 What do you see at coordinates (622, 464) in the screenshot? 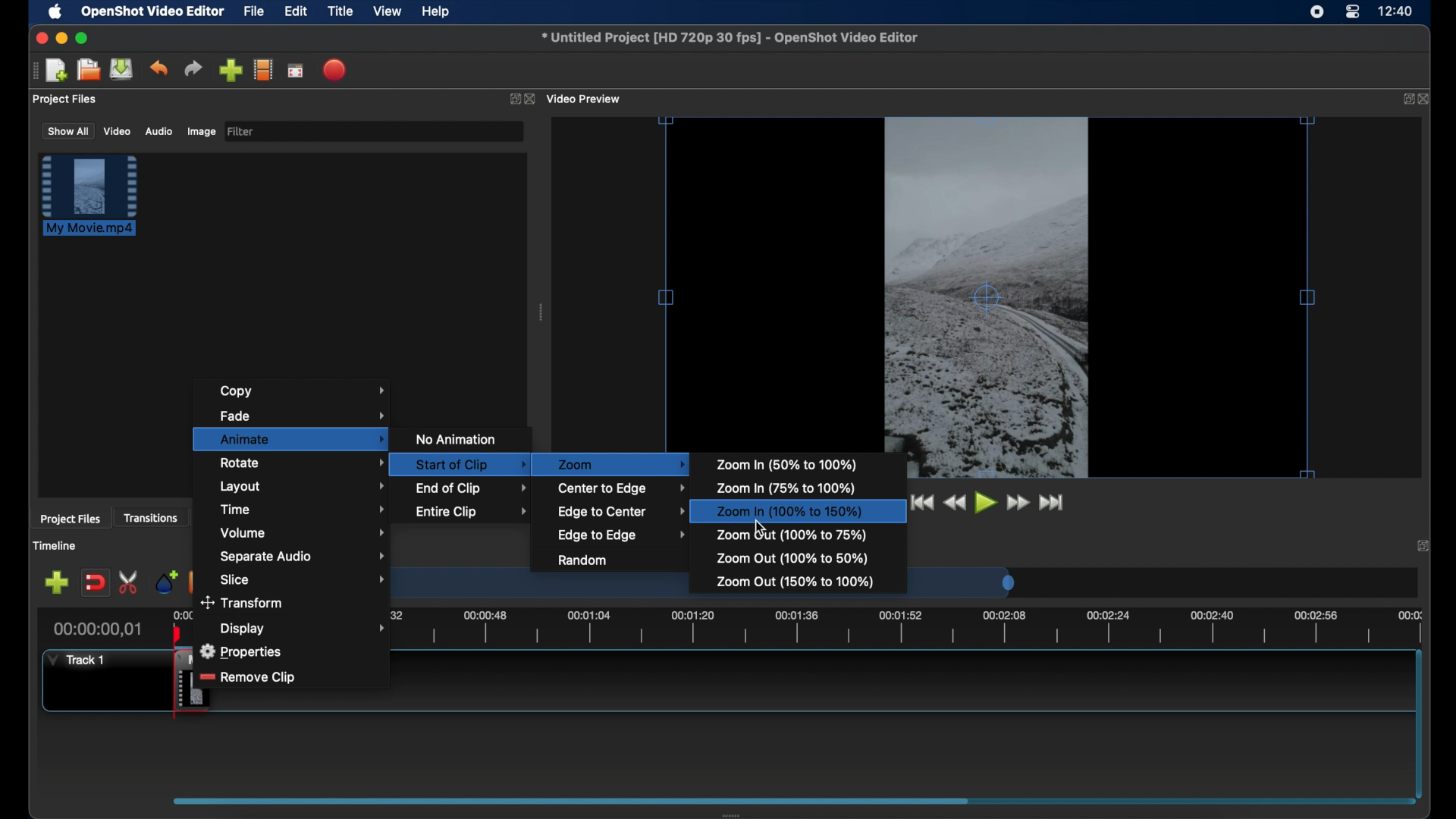
I see `zoom menu` at bounding box center [622, 464].